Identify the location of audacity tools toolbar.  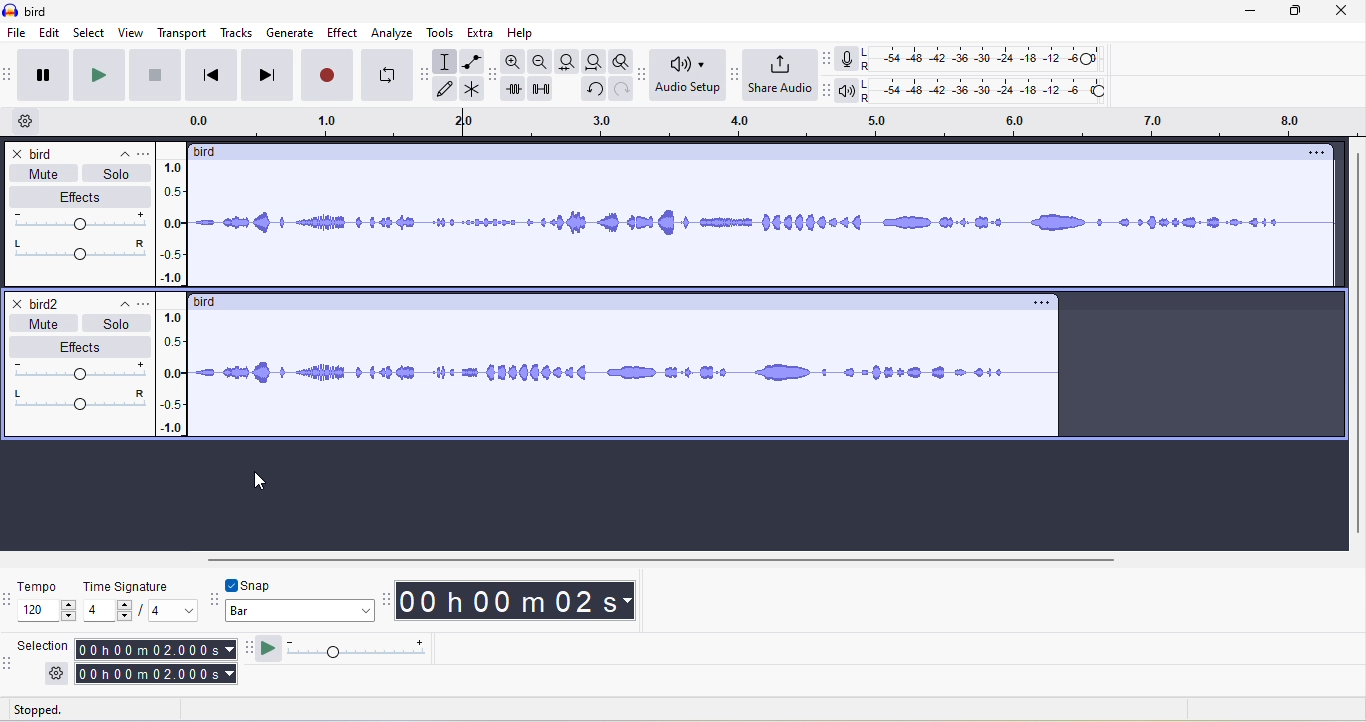
(424, 73).